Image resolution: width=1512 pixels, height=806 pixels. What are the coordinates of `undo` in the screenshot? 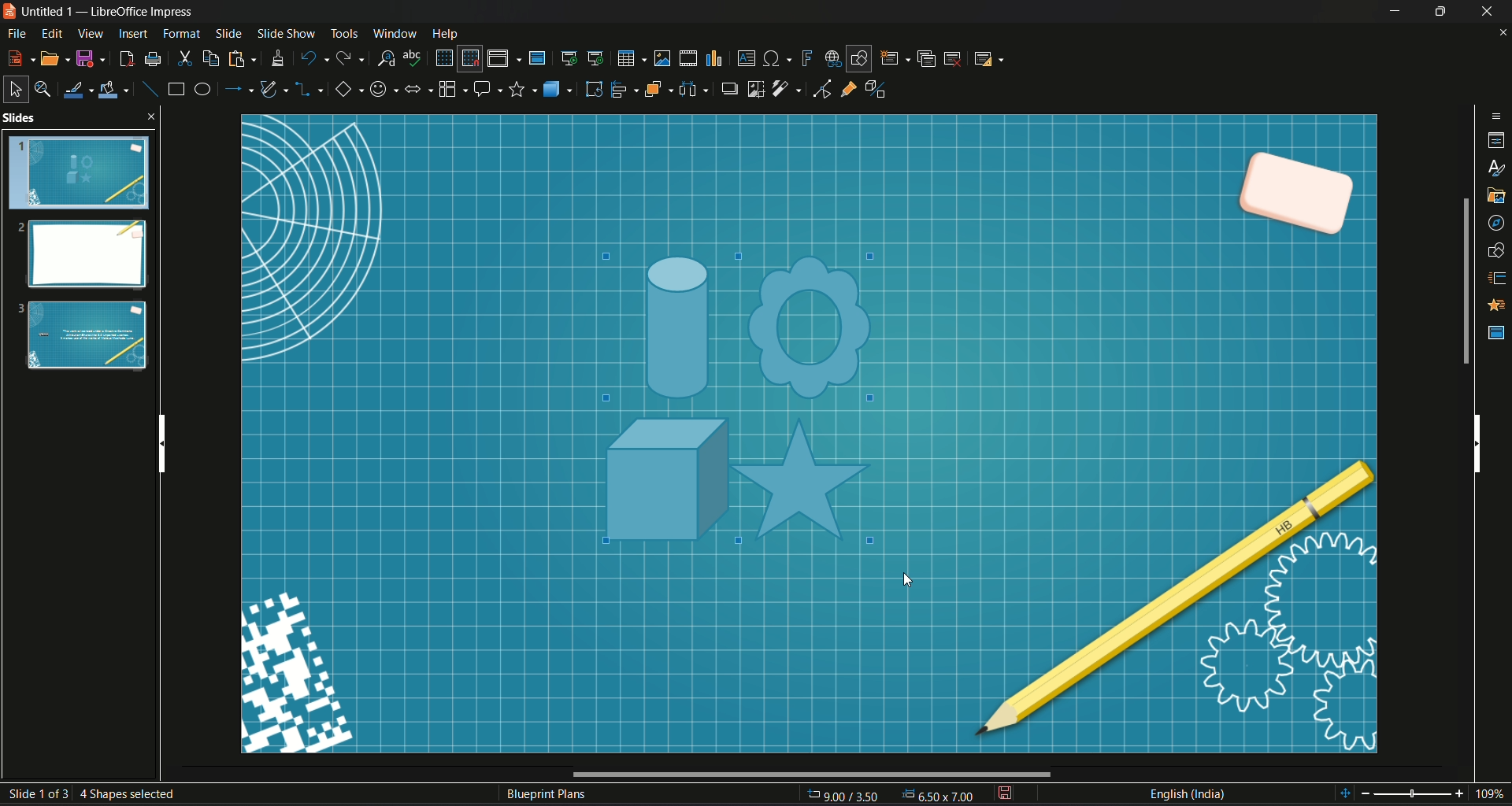 It's located at (313, 57).